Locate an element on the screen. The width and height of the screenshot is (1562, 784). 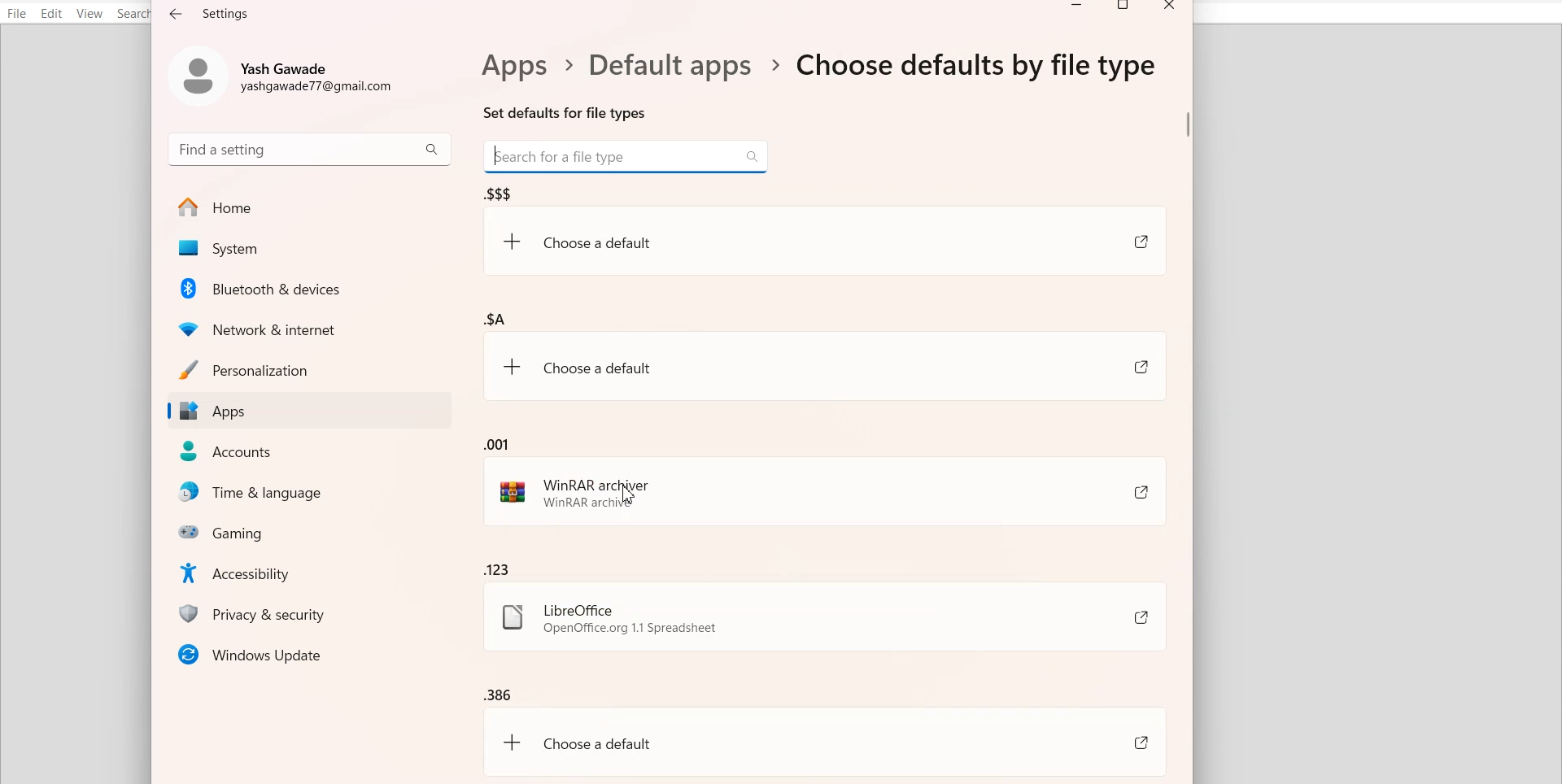
.$$$ is located at coordinates (823, 229).